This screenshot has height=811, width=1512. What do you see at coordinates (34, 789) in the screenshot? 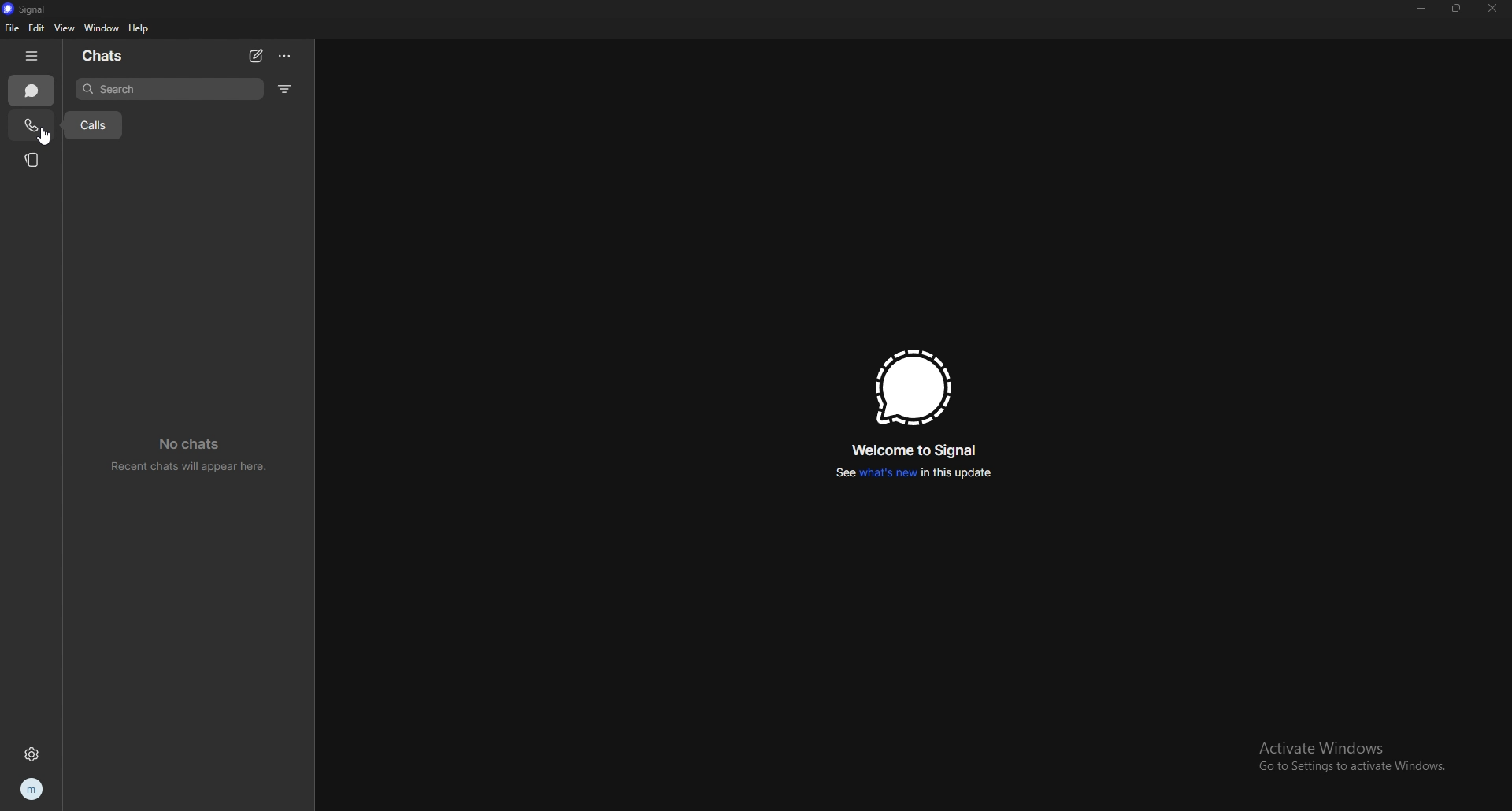
I see `profile` at bounding box center [34, 789].